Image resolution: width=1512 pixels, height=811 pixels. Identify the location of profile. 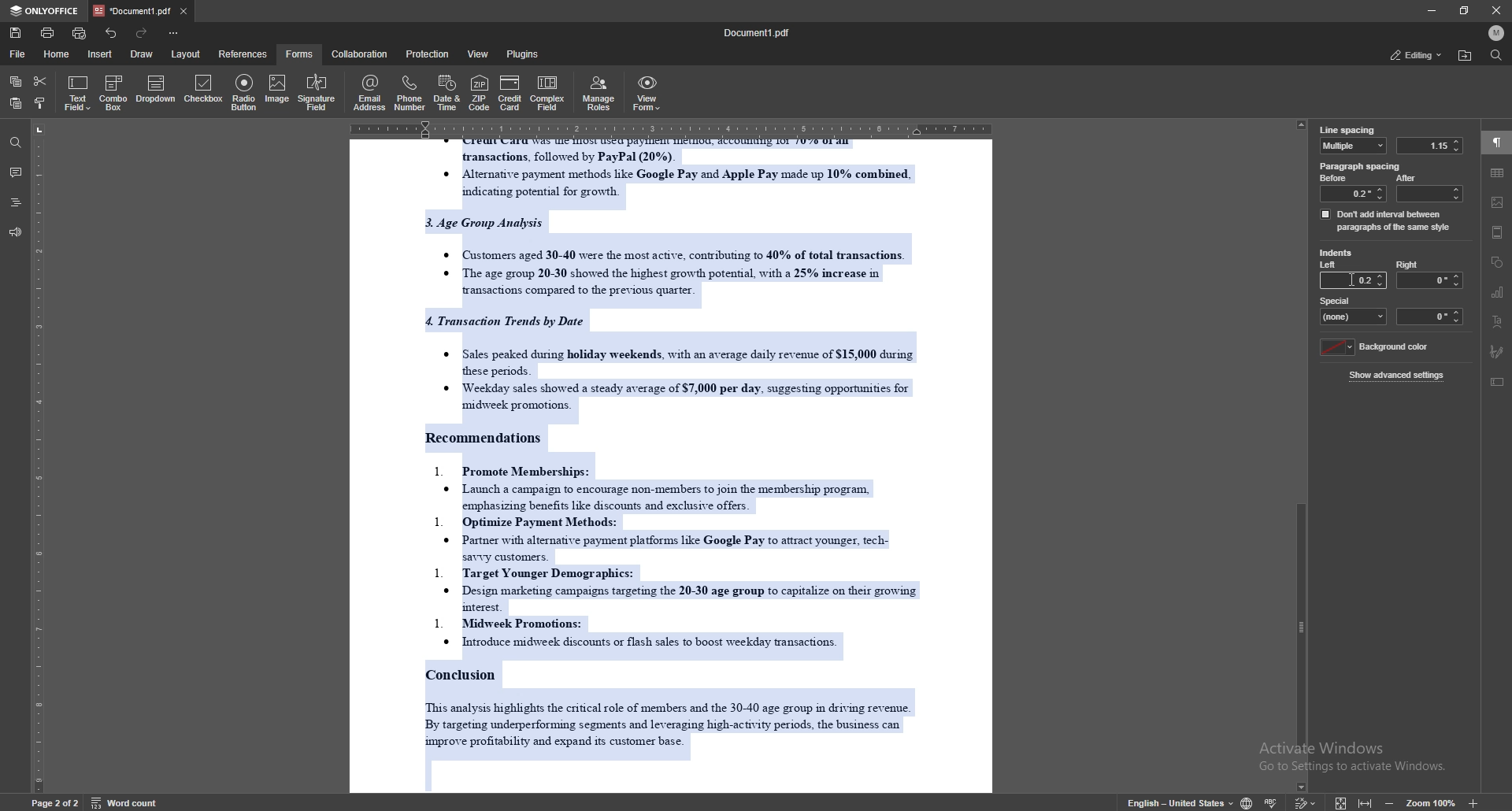
(1496, 32).